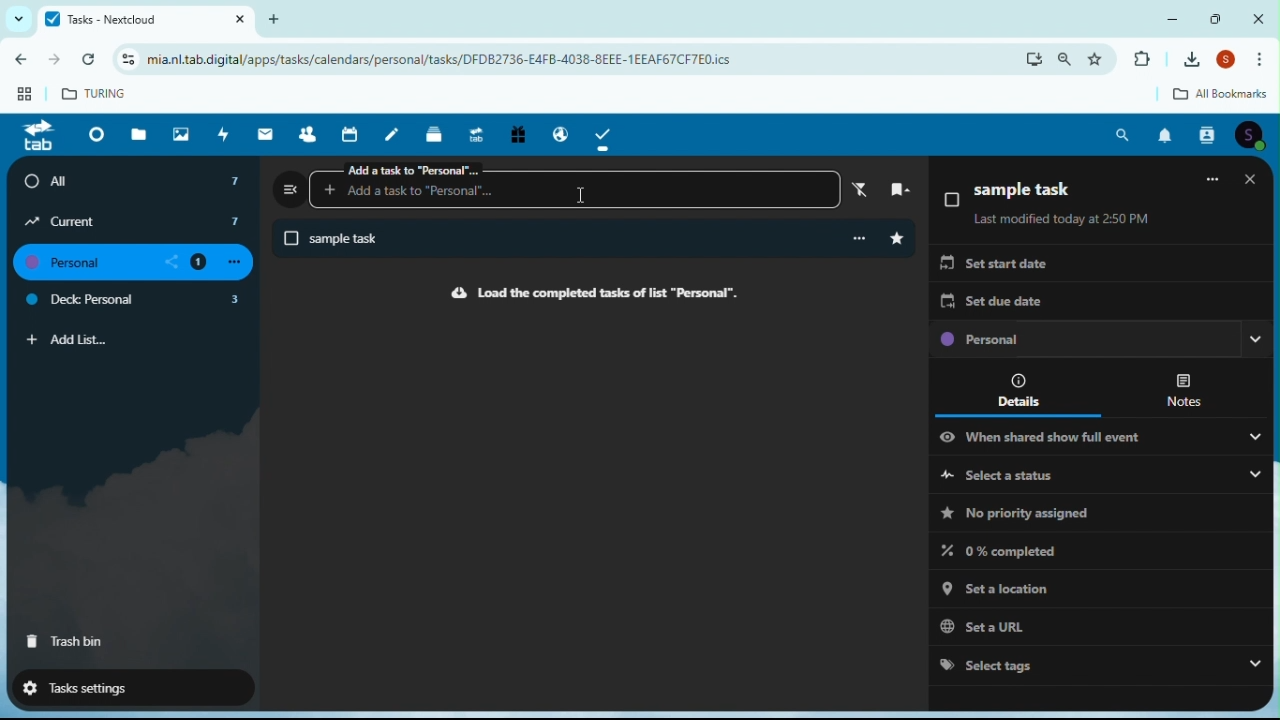 Image resolution: width=1280 pixels, height=720 pixels. Describe the element at coordinates (396, 133) in the screenshot. I see `Notes` at that location.